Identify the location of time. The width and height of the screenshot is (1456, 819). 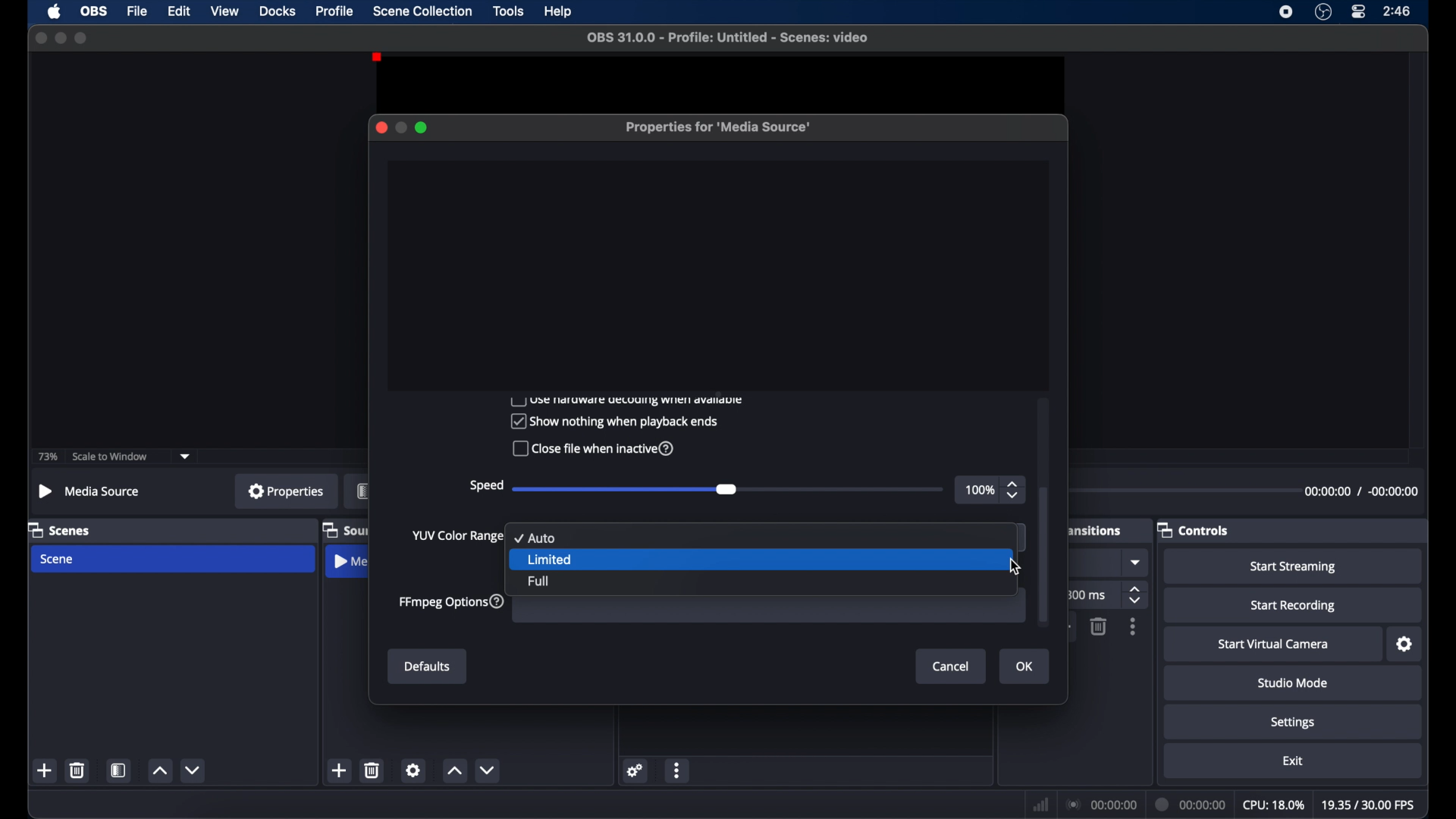
(1398, 11).